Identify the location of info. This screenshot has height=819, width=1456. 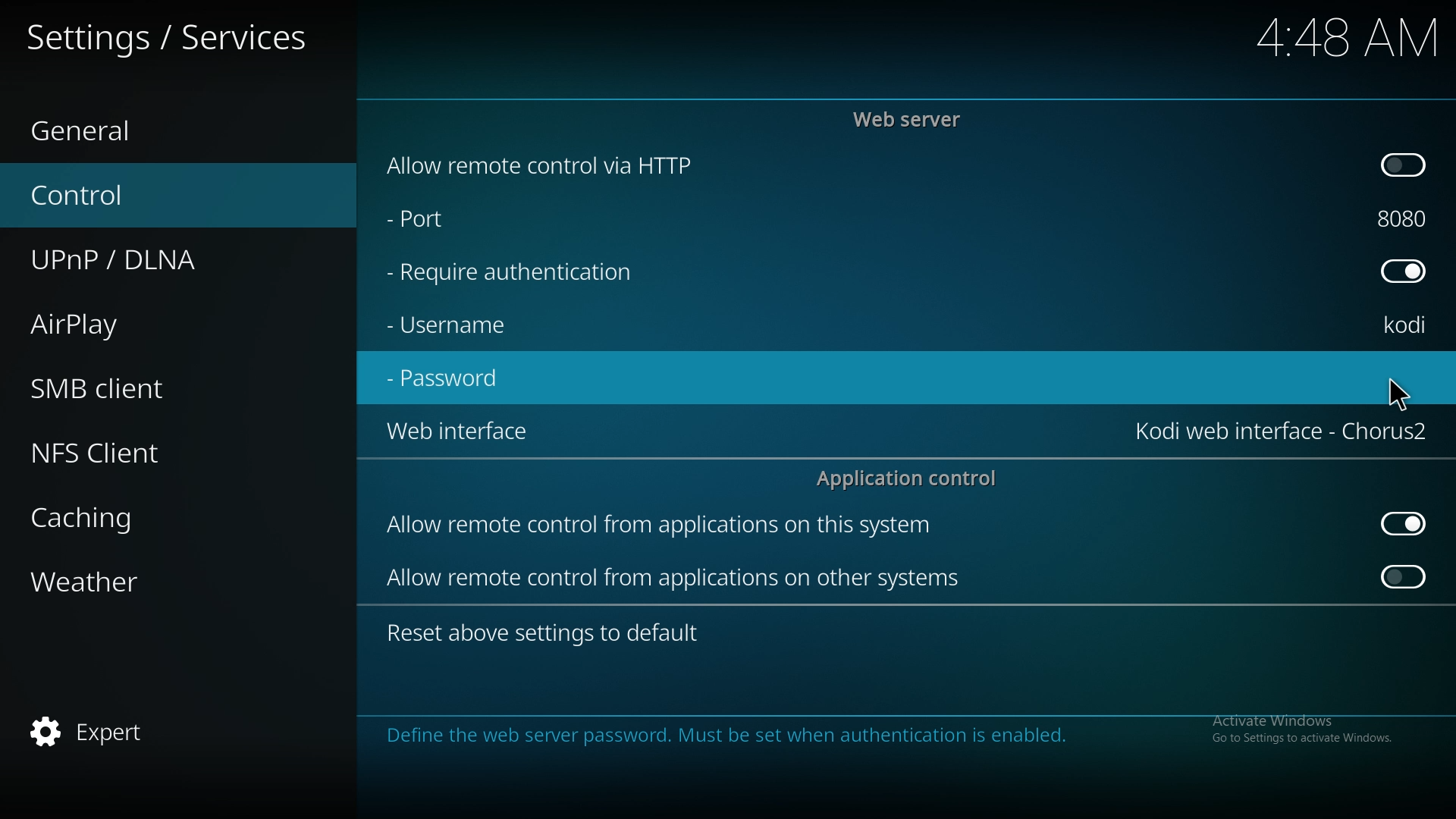
(877, 735).